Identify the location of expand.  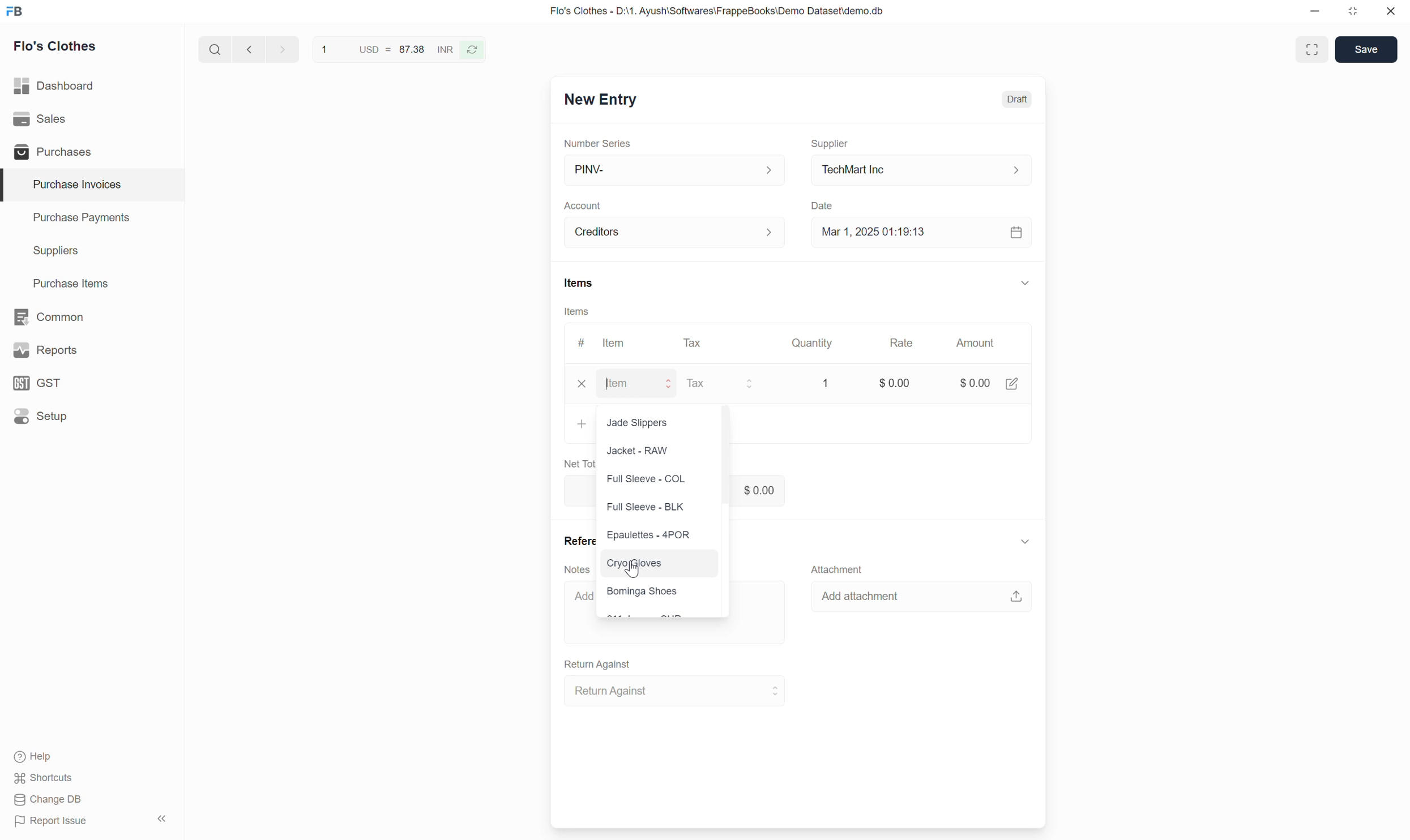
(1026, 282).